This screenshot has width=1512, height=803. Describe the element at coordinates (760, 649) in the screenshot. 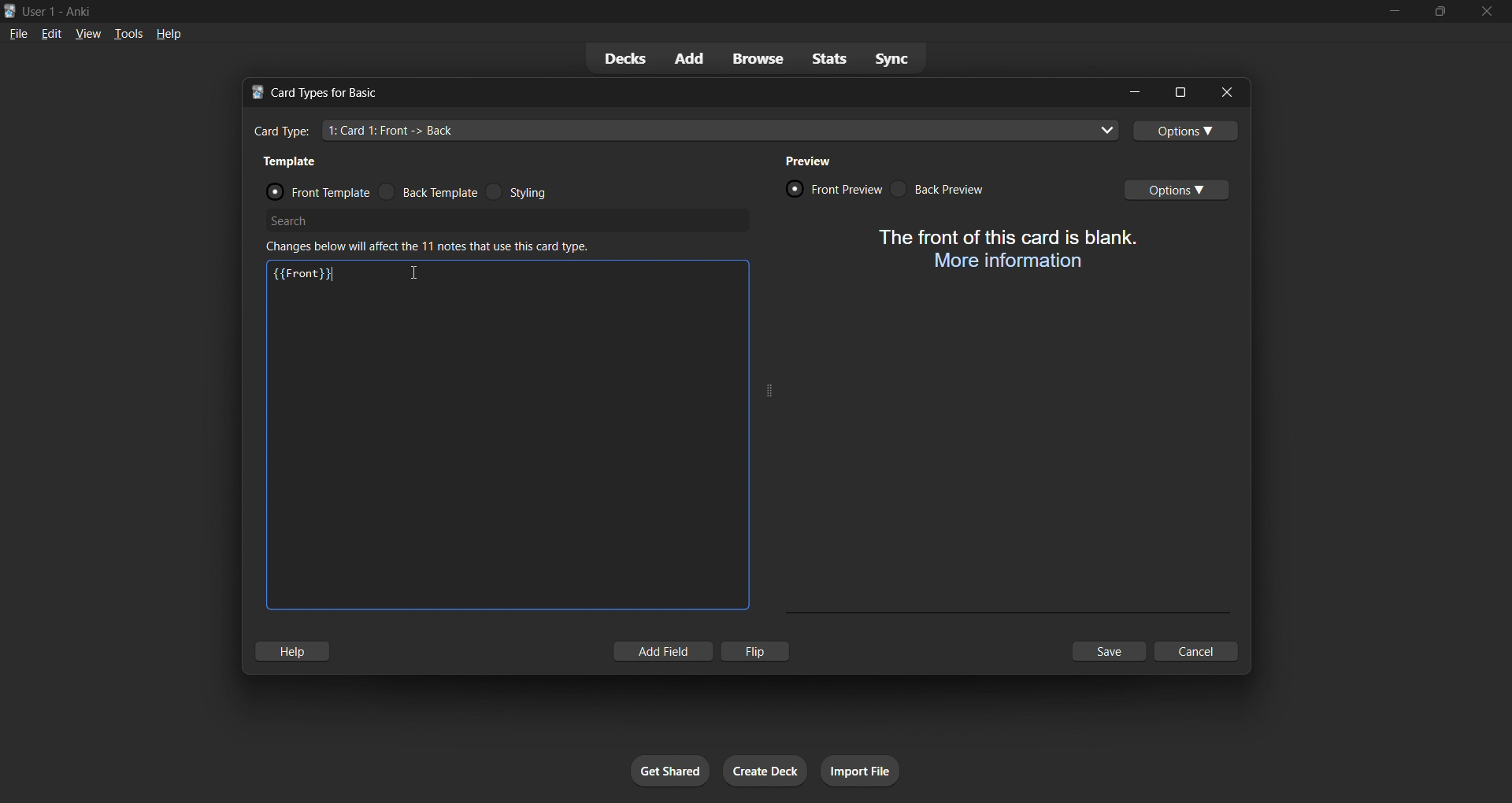

I see `flip` at that location.